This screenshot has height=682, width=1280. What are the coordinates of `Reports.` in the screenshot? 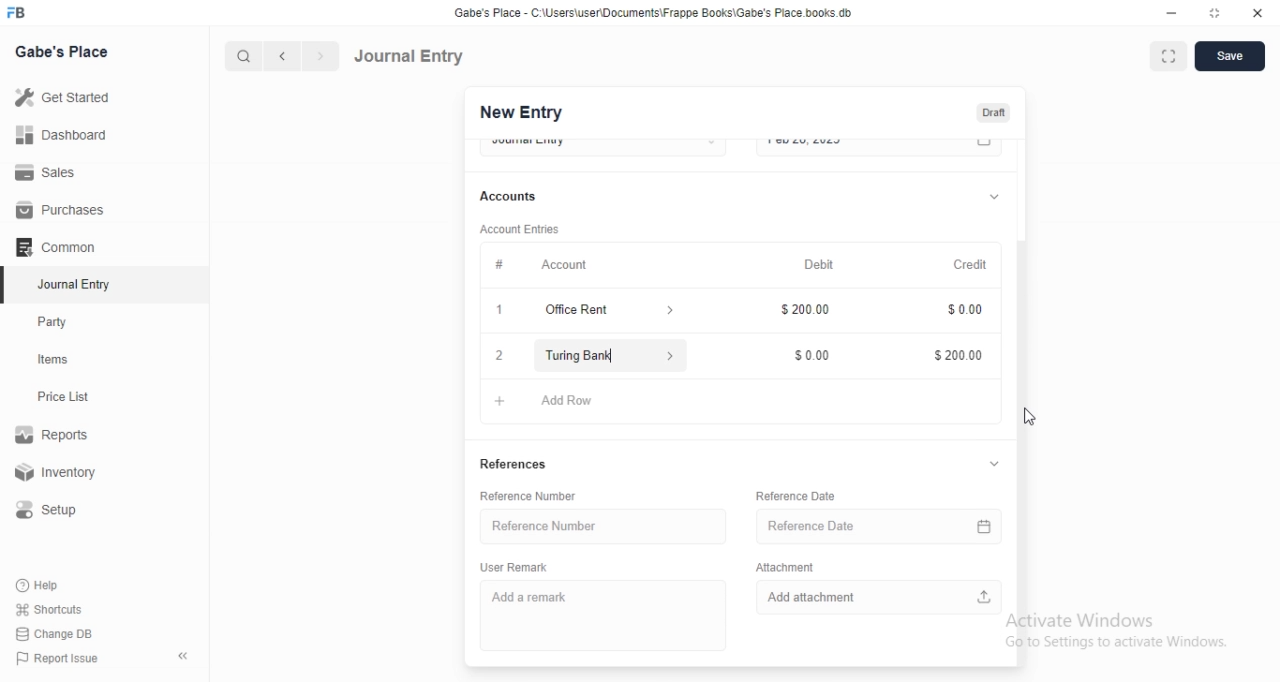 It's located at (55, 438).